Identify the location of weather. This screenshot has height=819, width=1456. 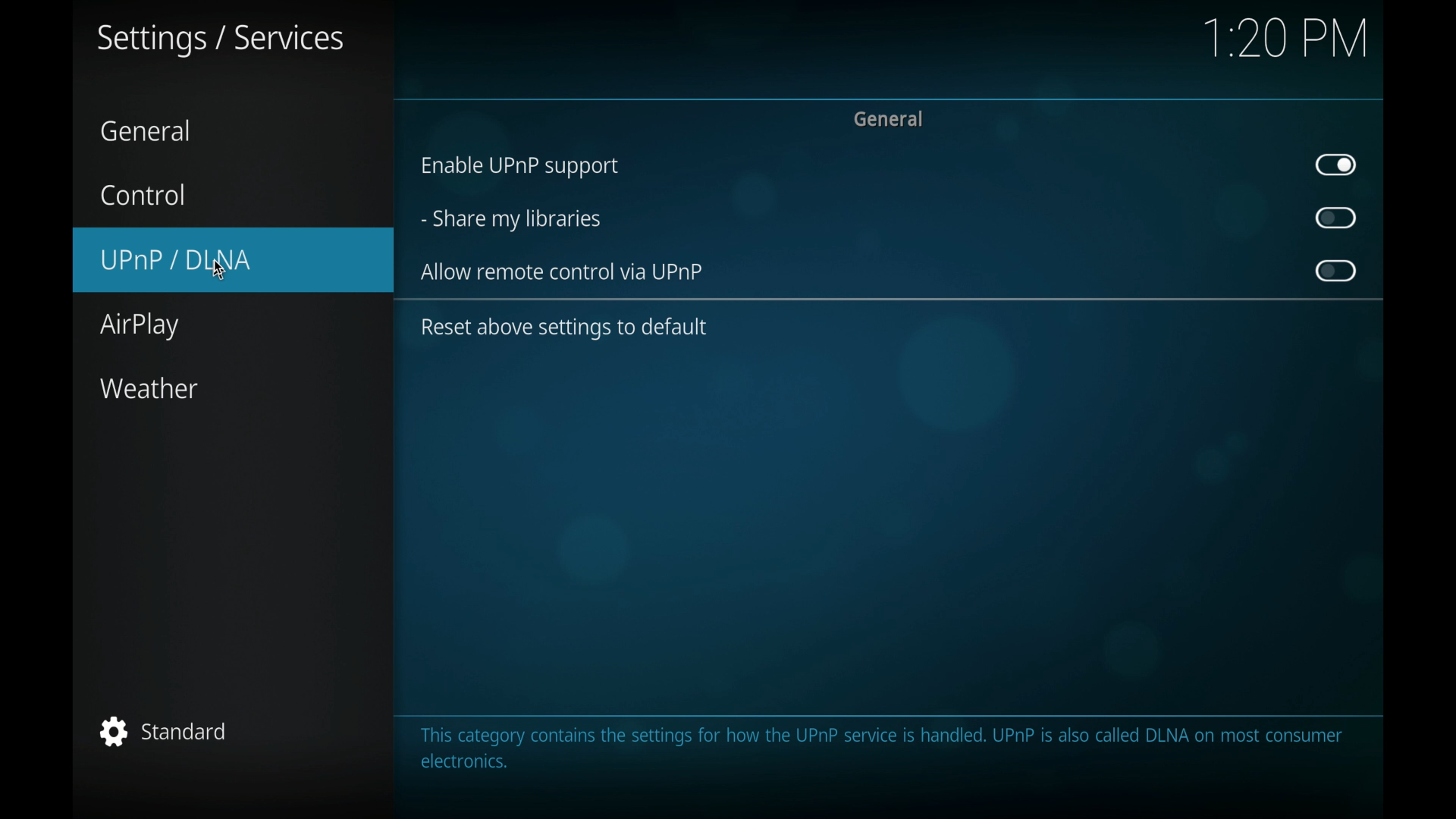
(149, 389).